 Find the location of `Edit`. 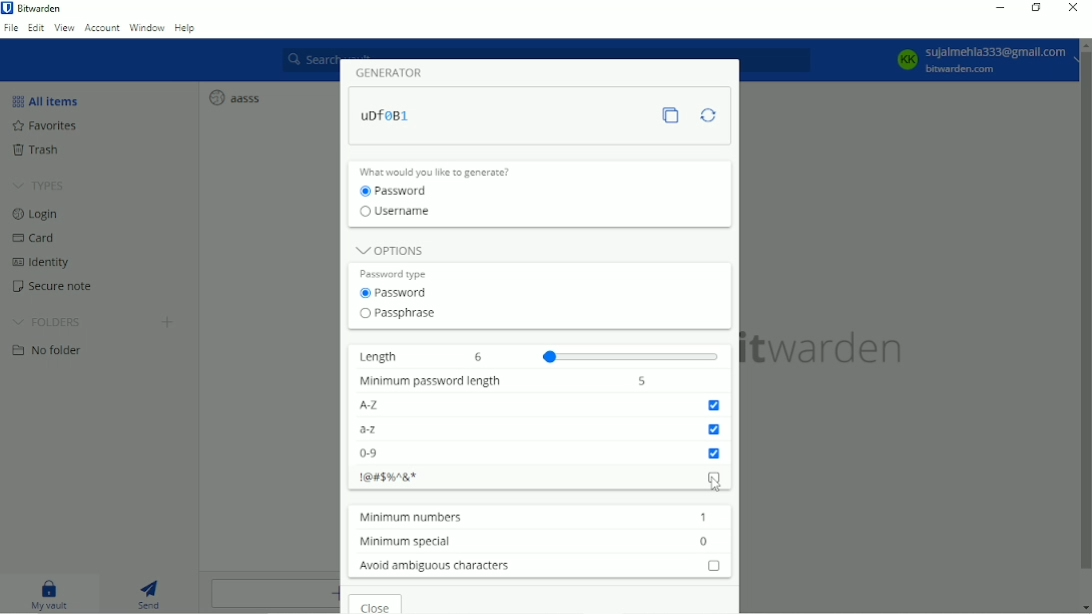

Edit is located at coordinates (36, 27).